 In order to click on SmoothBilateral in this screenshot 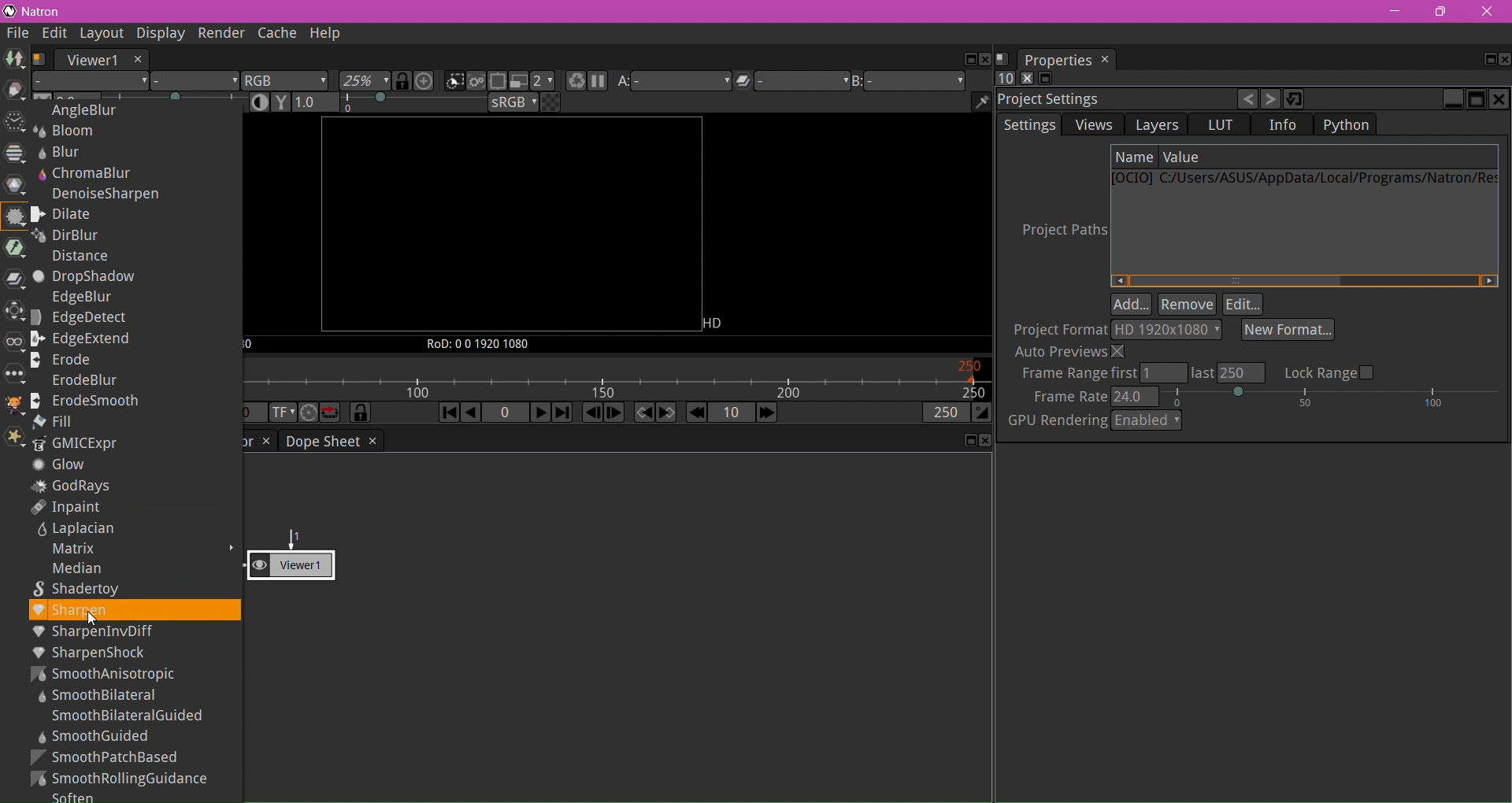, I will do `click(102, 695)`.